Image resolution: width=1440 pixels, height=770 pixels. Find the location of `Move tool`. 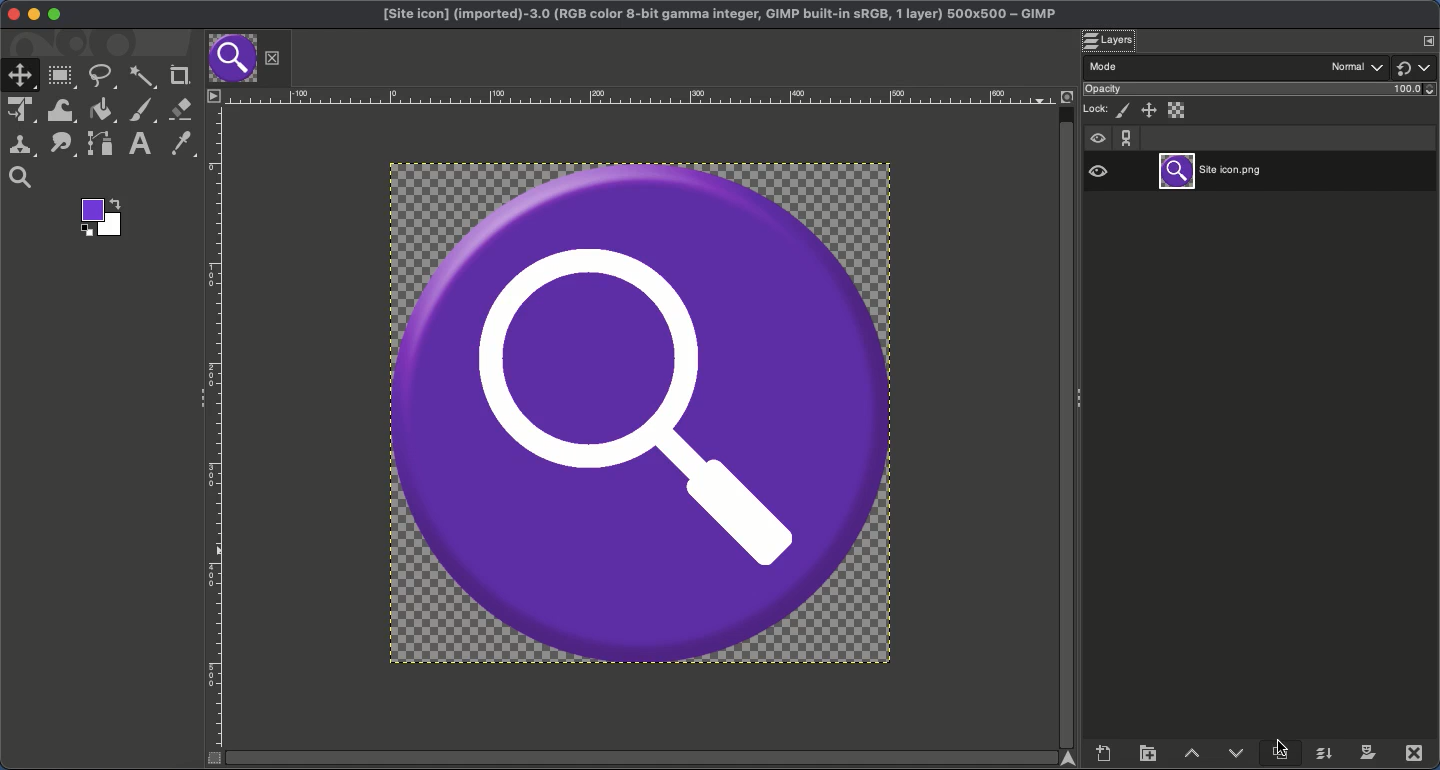

Move tool is located at coordinates (17, 74).